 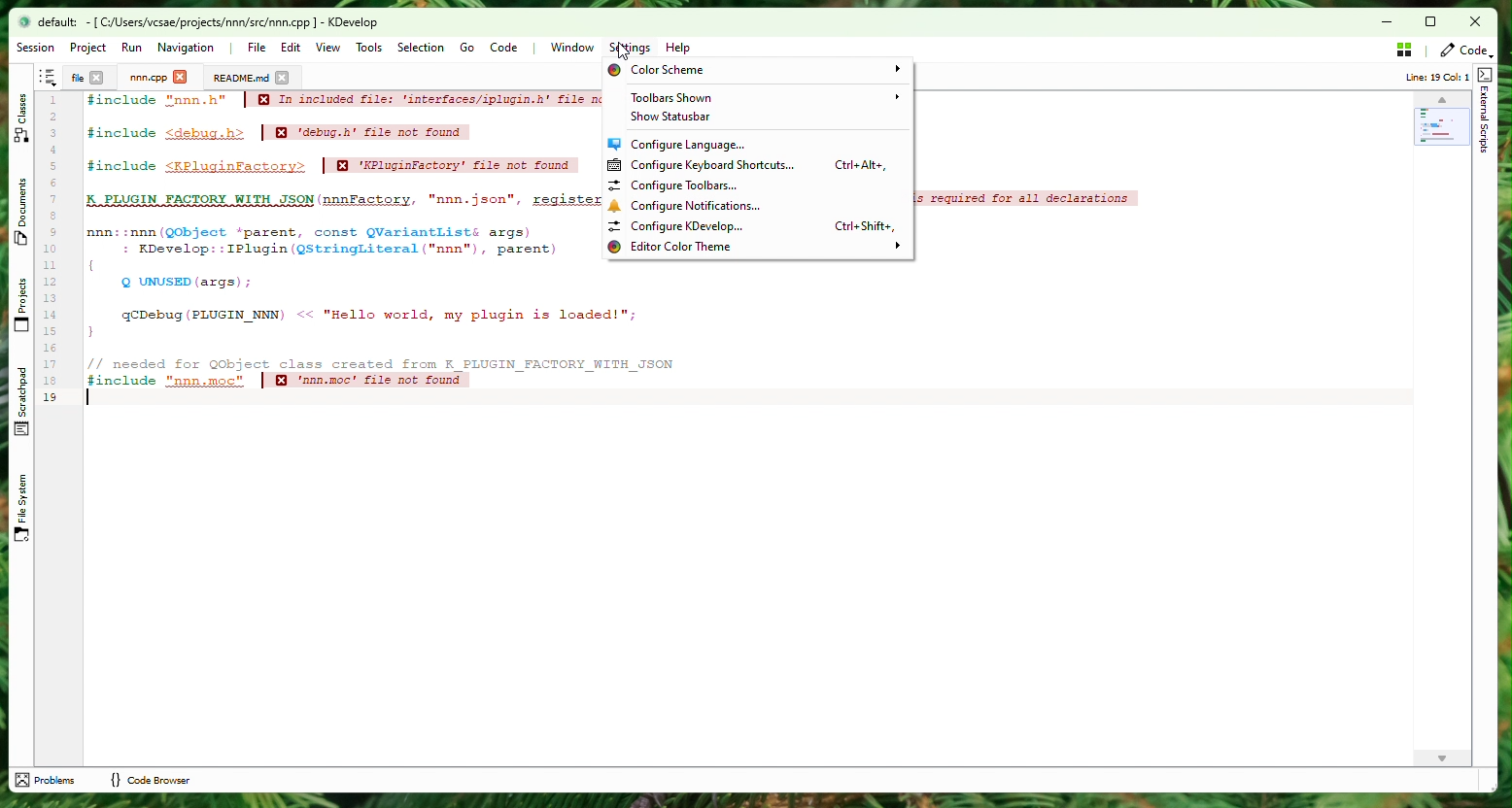 I want to click on External Script, so click(x=1486, y=118).